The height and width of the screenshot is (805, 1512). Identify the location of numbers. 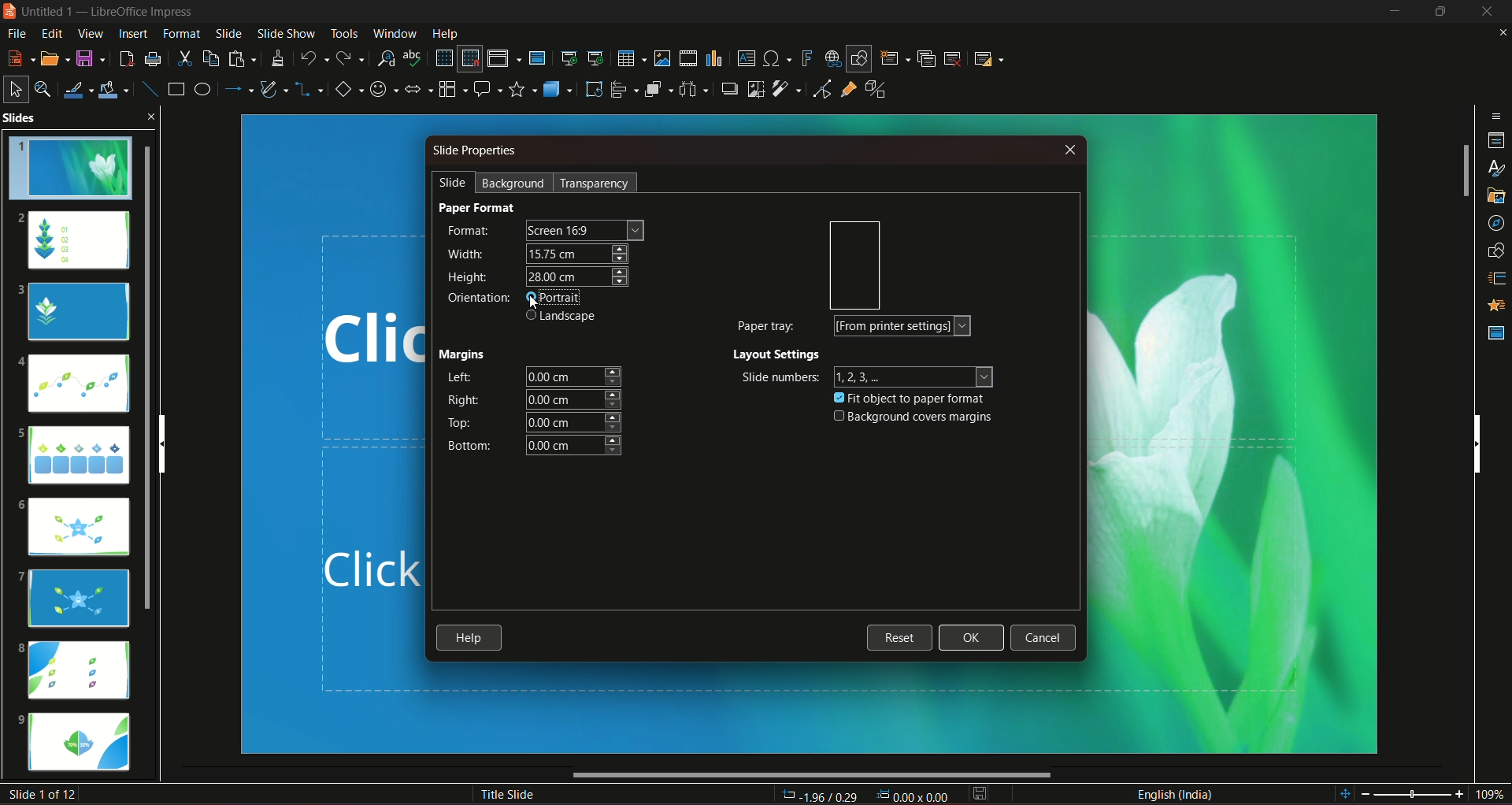
(917, 376).